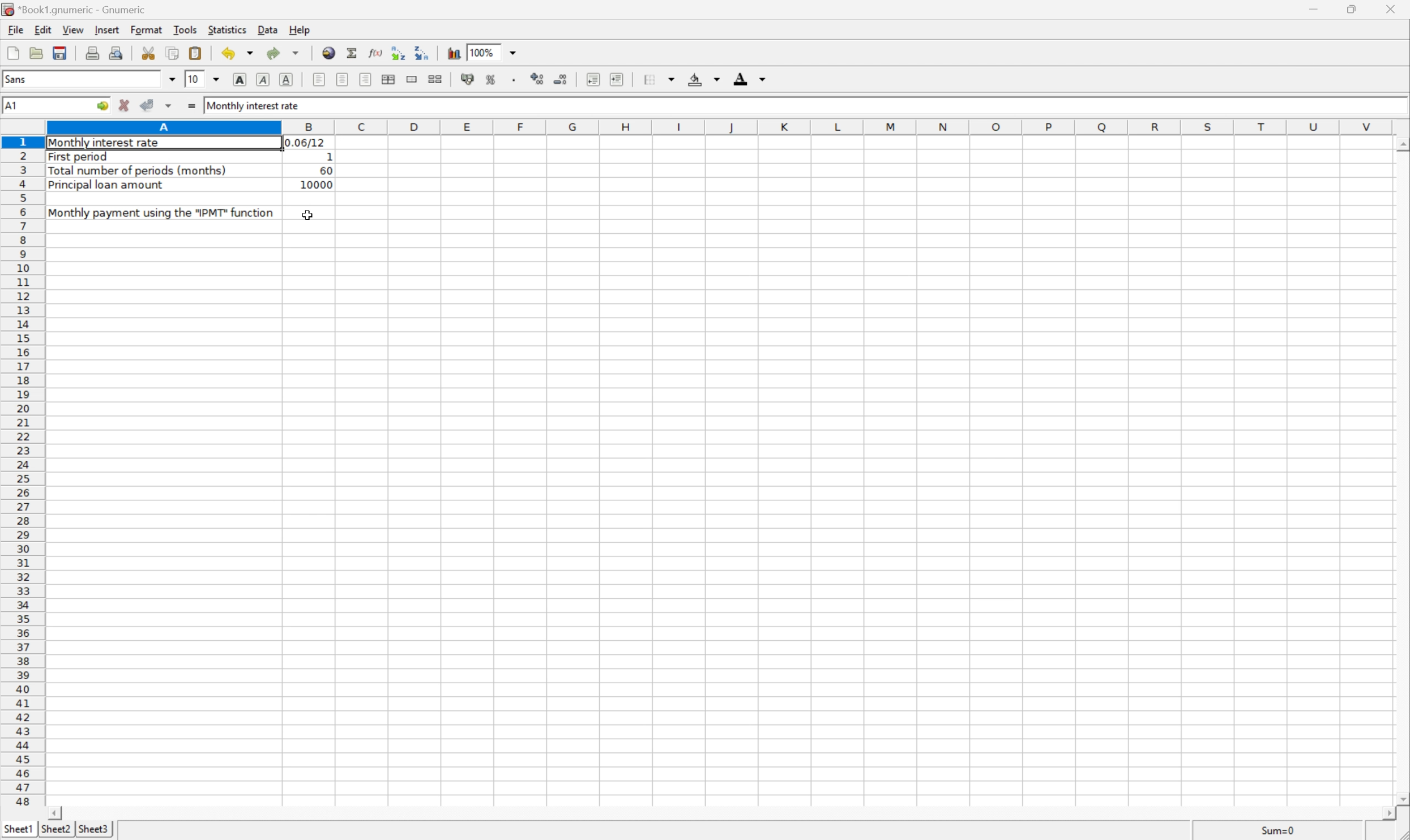  I want to click on Close, so click(1392, 8).